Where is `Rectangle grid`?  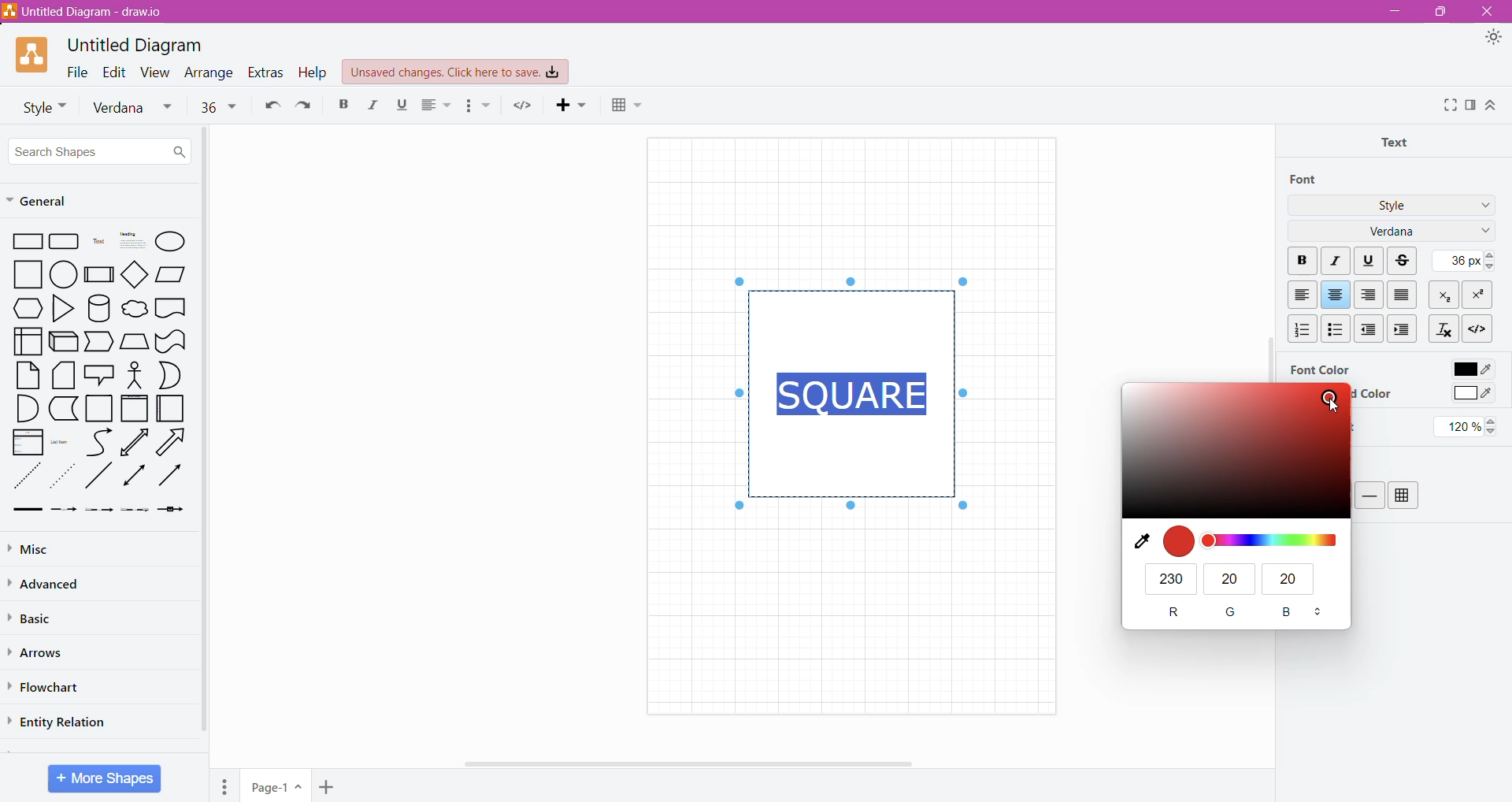 Rectangle grid is located at coordinates (66, 240).